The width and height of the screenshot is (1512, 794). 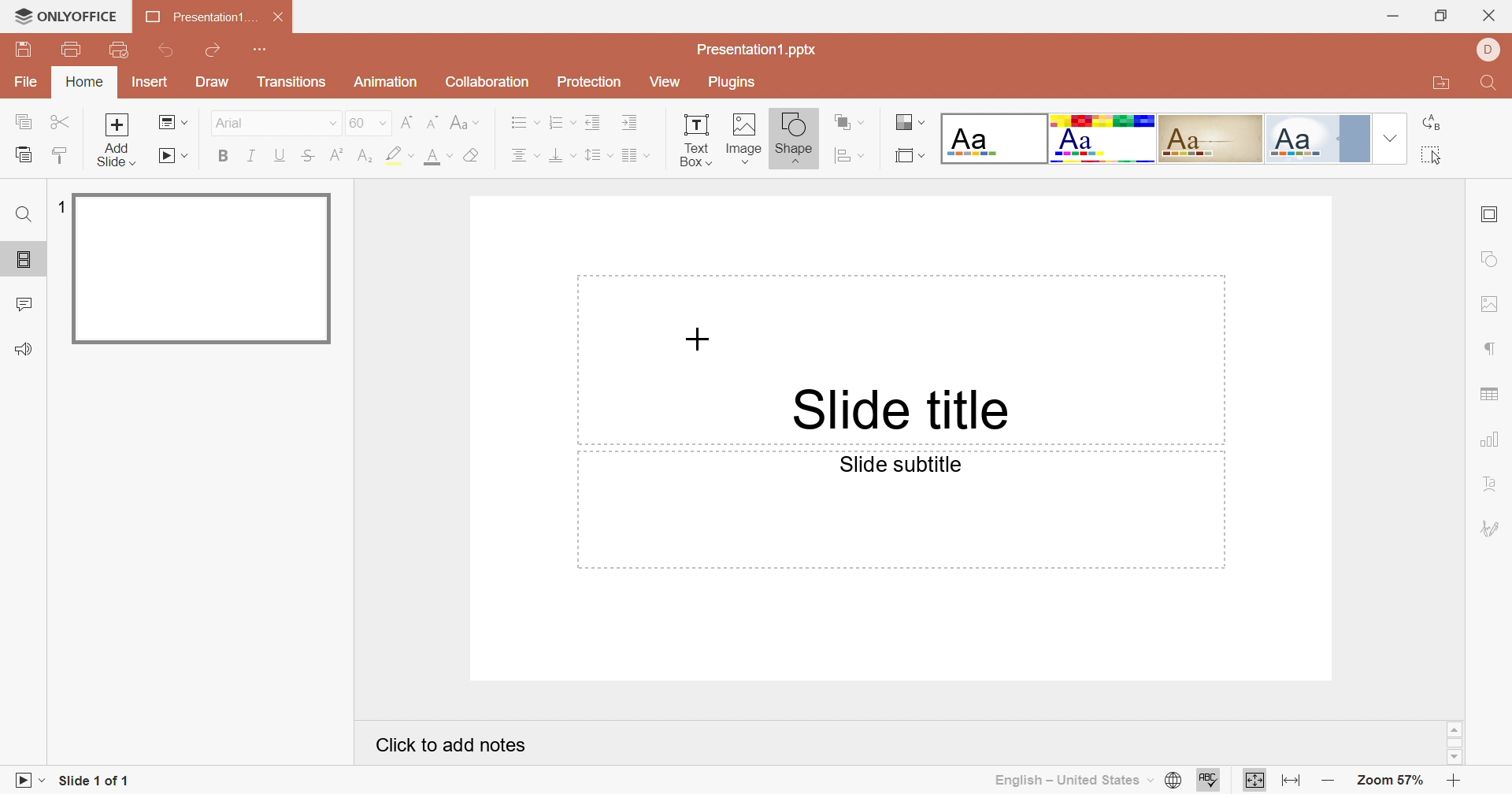 What do you see at coordinates (121, 50) in the screenshot?
I see `Quick print` at bounding box center [121, 50].